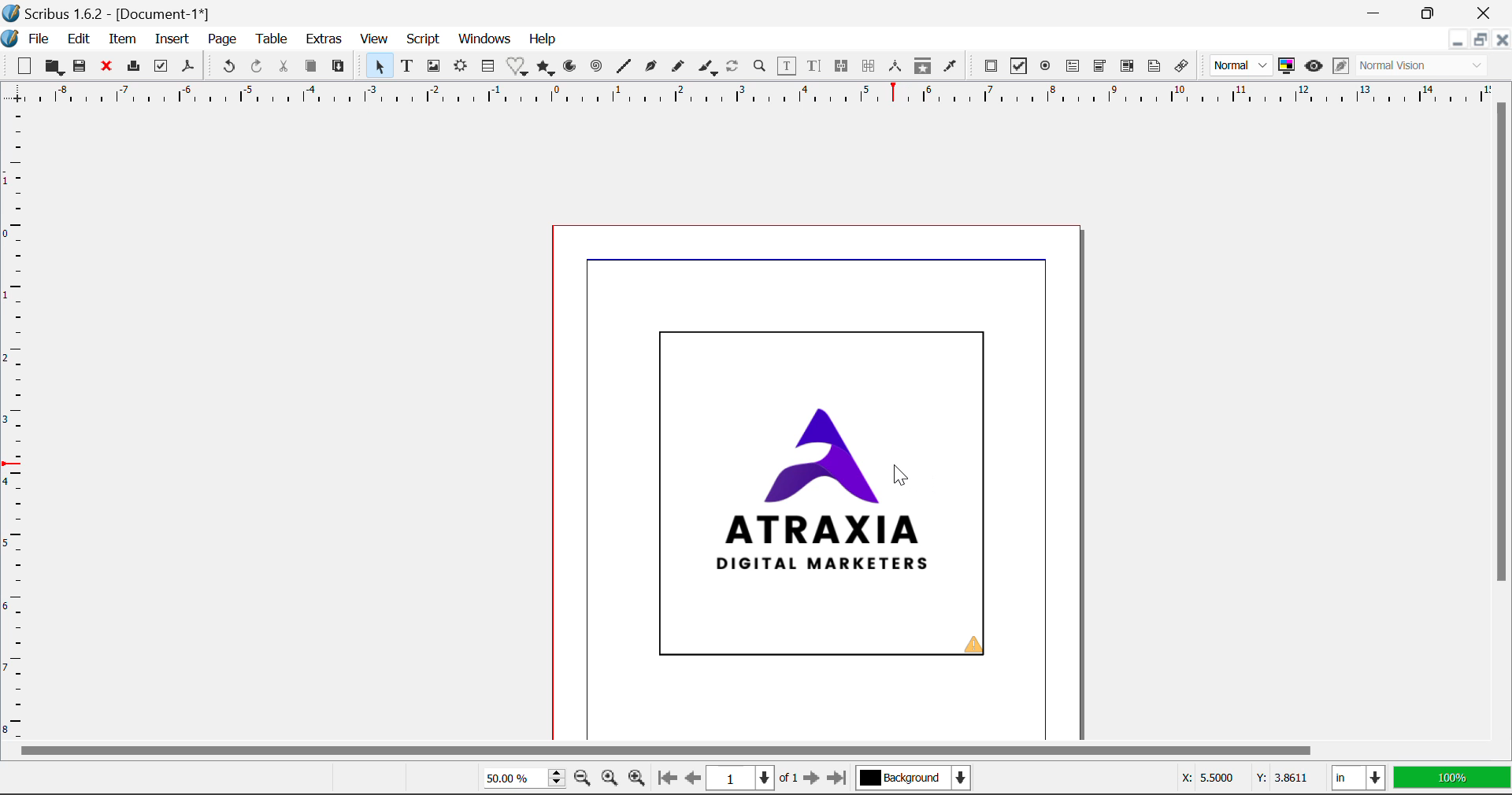 The height and width of the screenshot is (795, 1512). Describe the element at coordinates (736, 751) in the screenshot. I see `Horizontal Scroll Bar` at that location.